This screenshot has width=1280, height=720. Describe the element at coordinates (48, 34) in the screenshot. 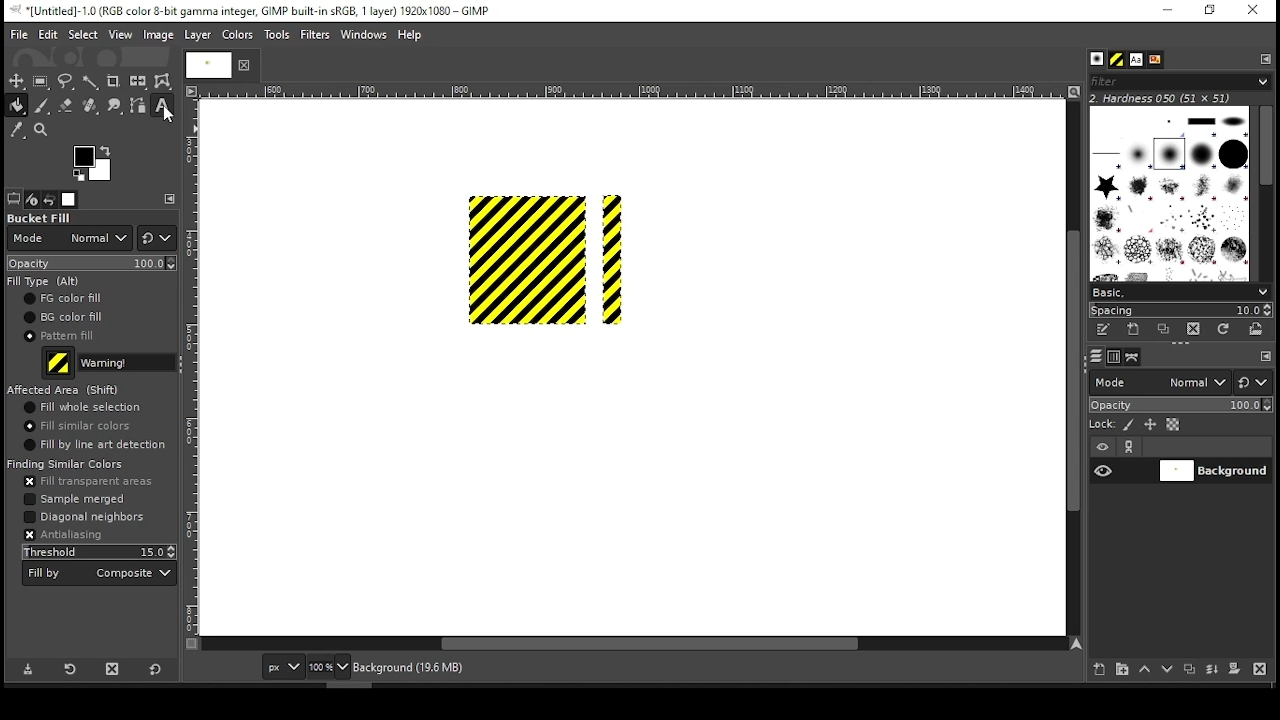

I see `edit` at that location.